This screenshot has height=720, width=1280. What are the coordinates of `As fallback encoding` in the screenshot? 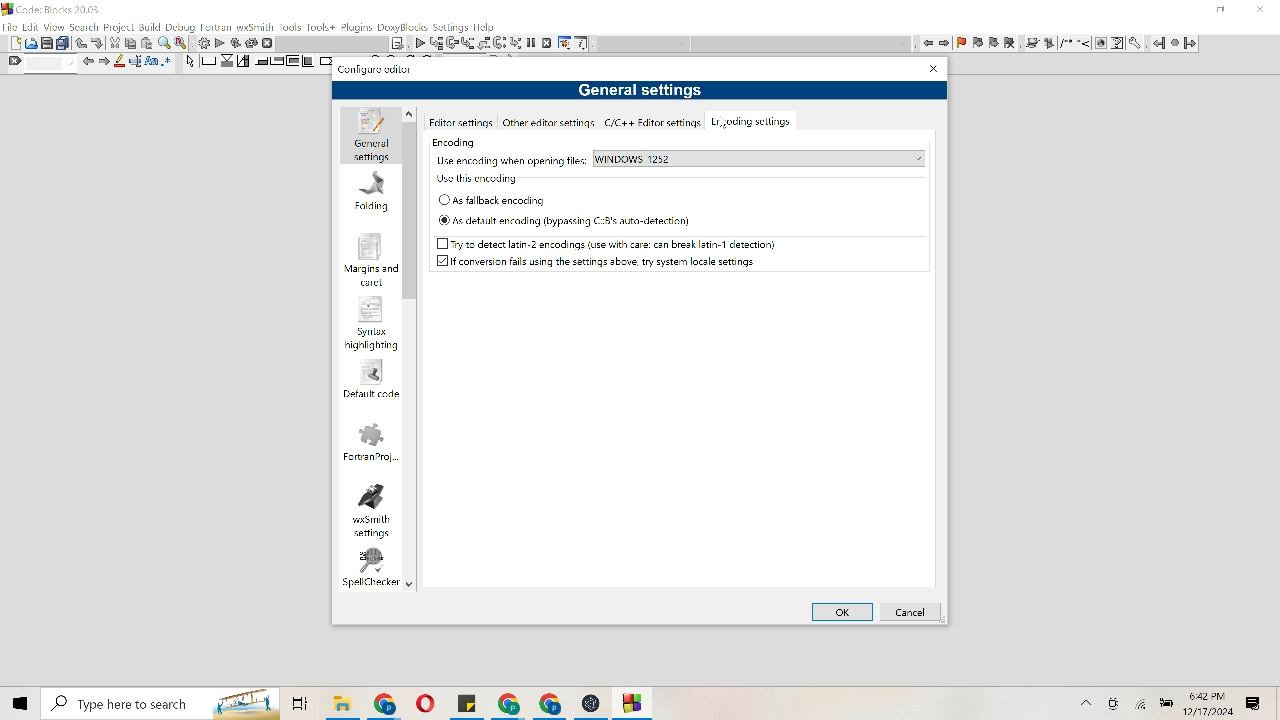 It's located at (492, 200).